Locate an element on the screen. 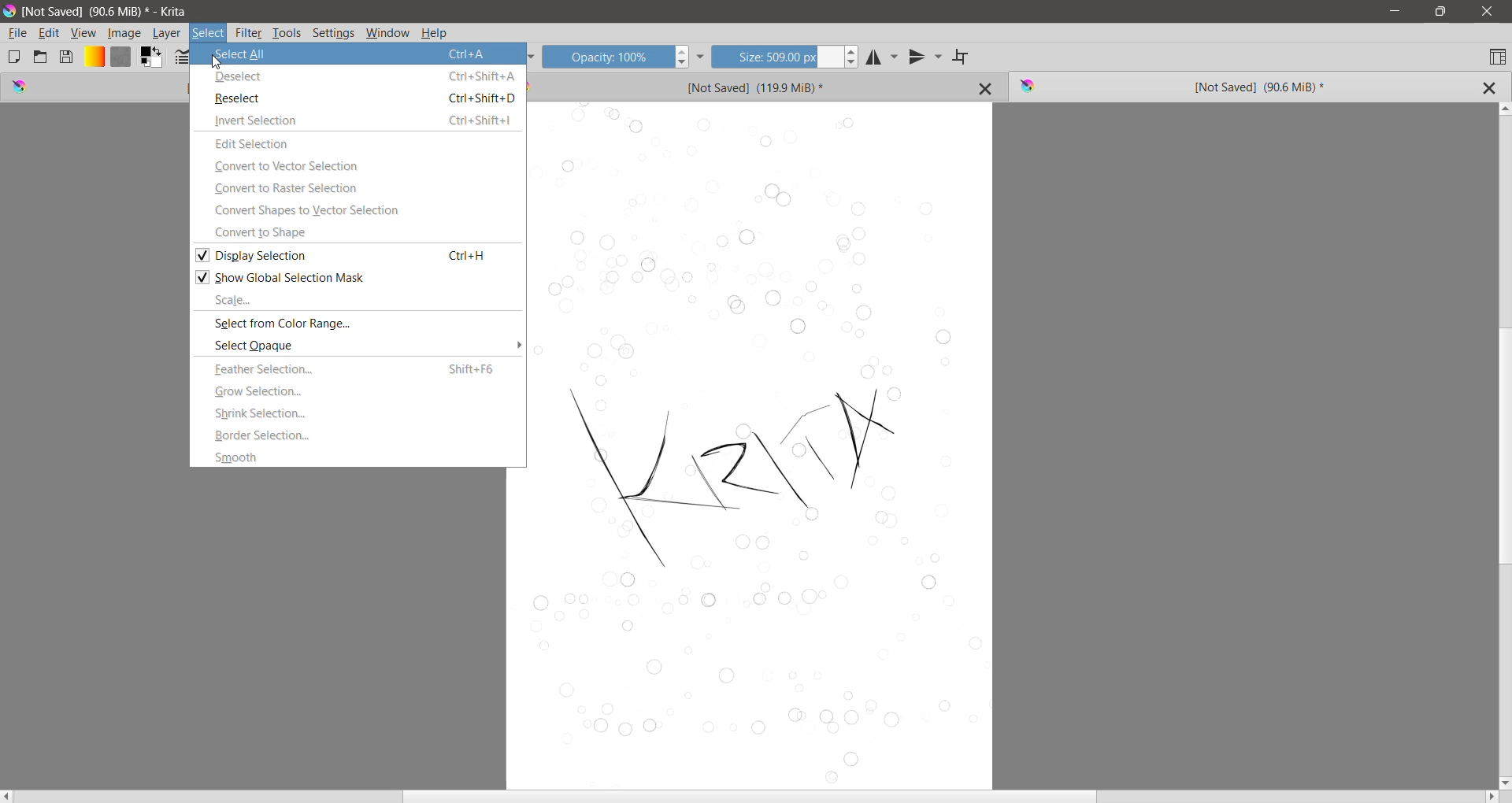  File is located at coordinates (17, 33).